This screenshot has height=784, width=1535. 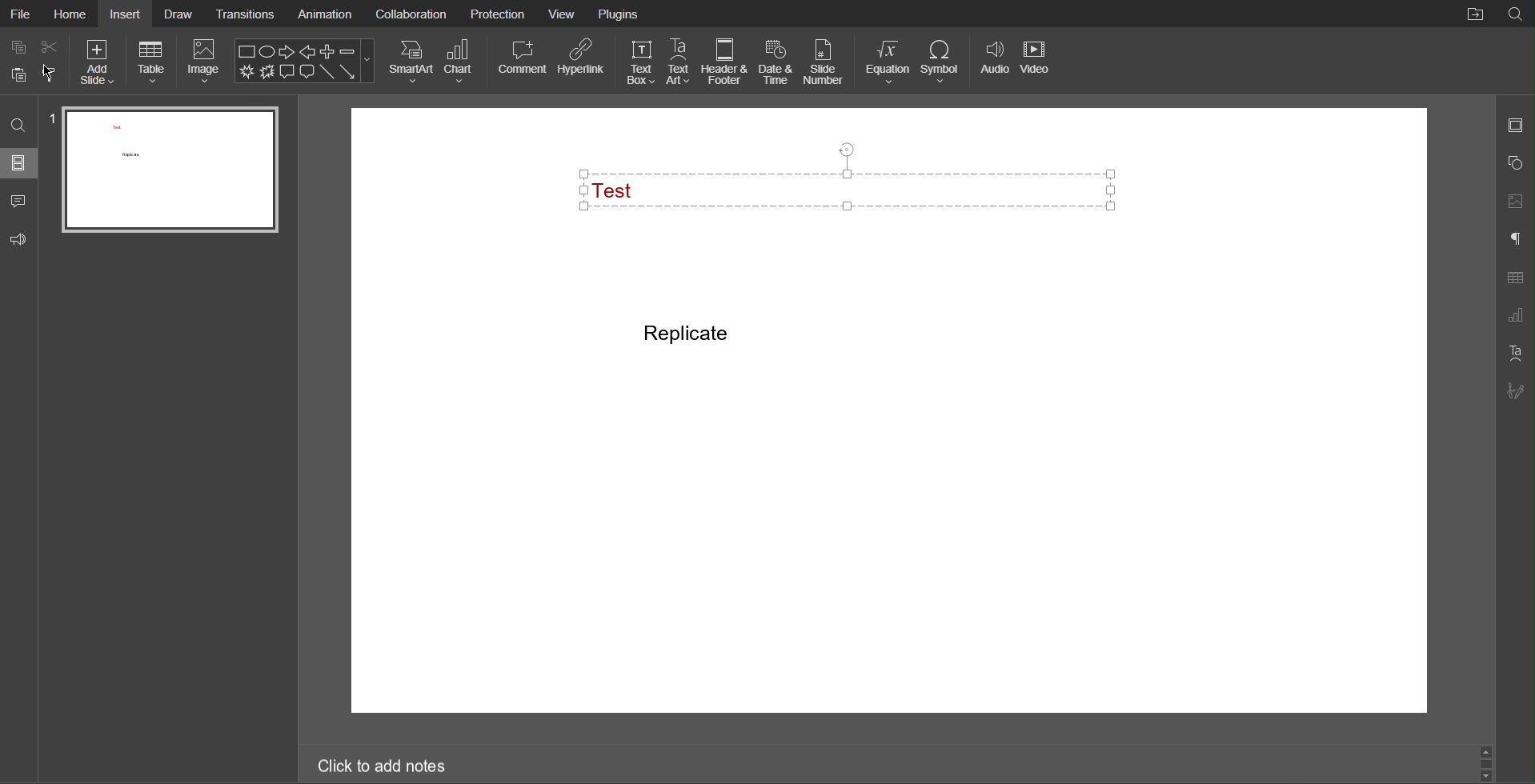 I want to click on Text Art, so click(x=1513, y=354).